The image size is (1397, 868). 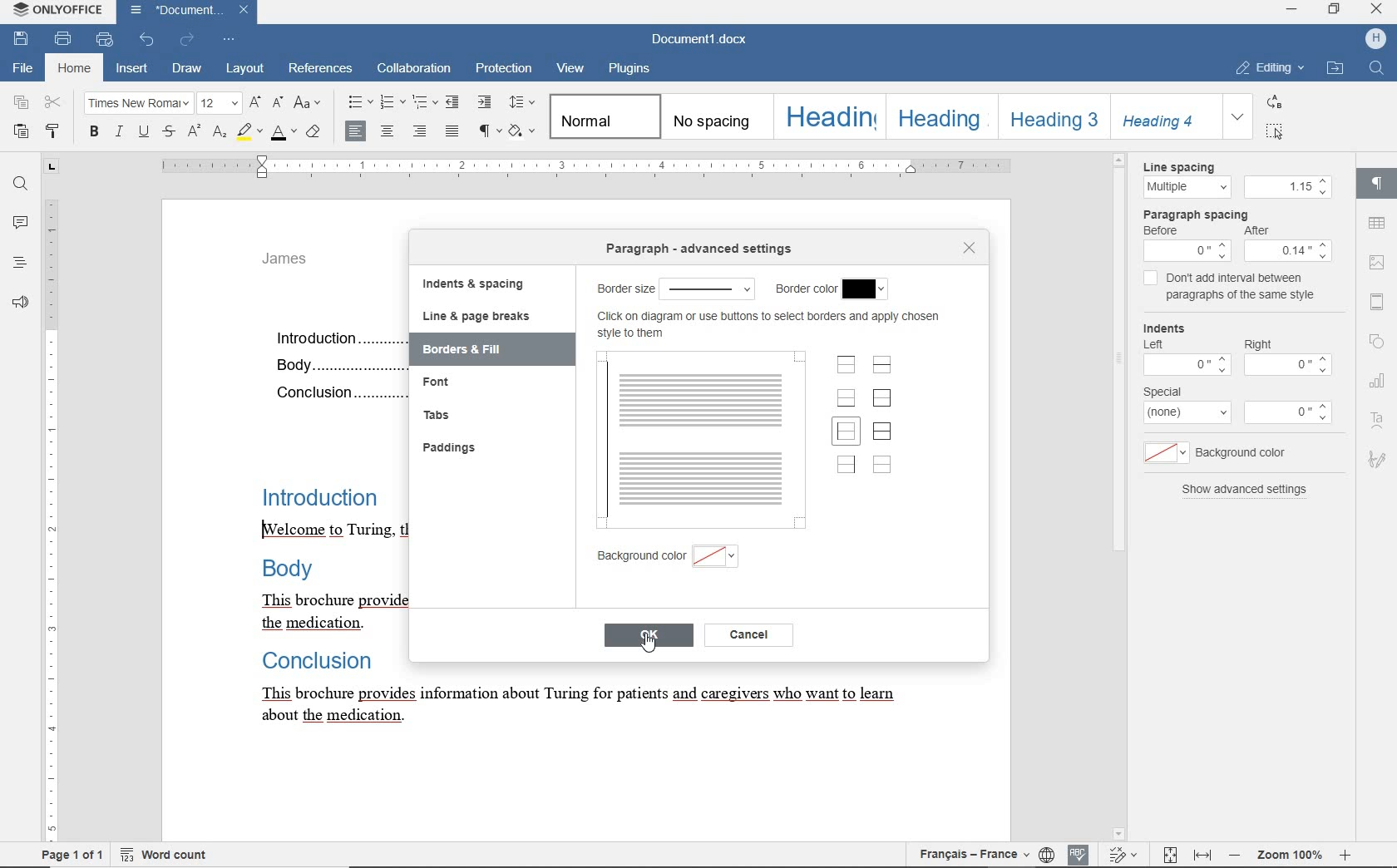 What do you see at coordinates (882, 465) in the screenshot?
I see `set no borders` at bounding box center [882, 465].